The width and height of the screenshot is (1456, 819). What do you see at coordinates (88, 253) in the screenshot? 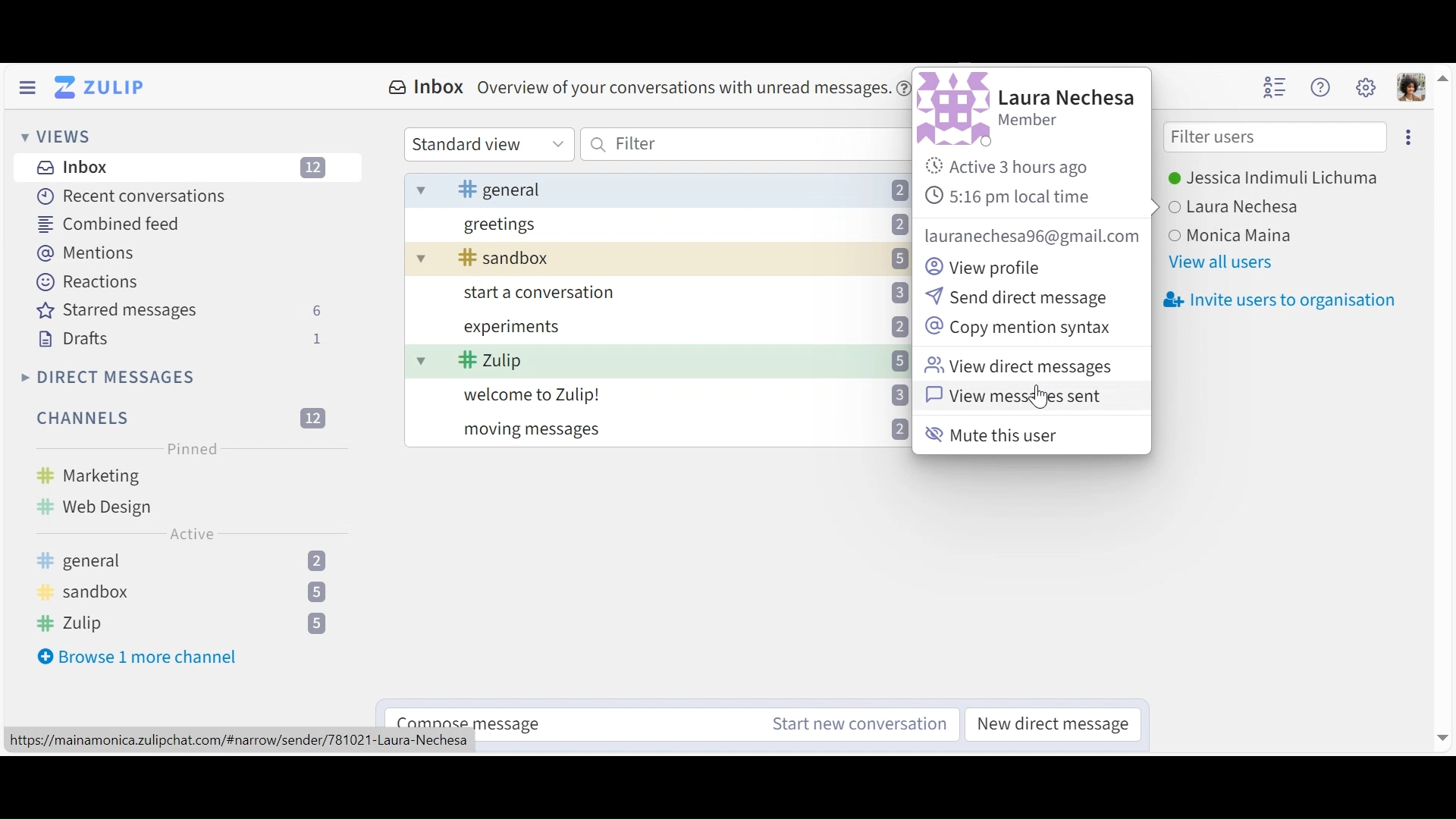
I see `Mentions` at bounding box center [88, 253].